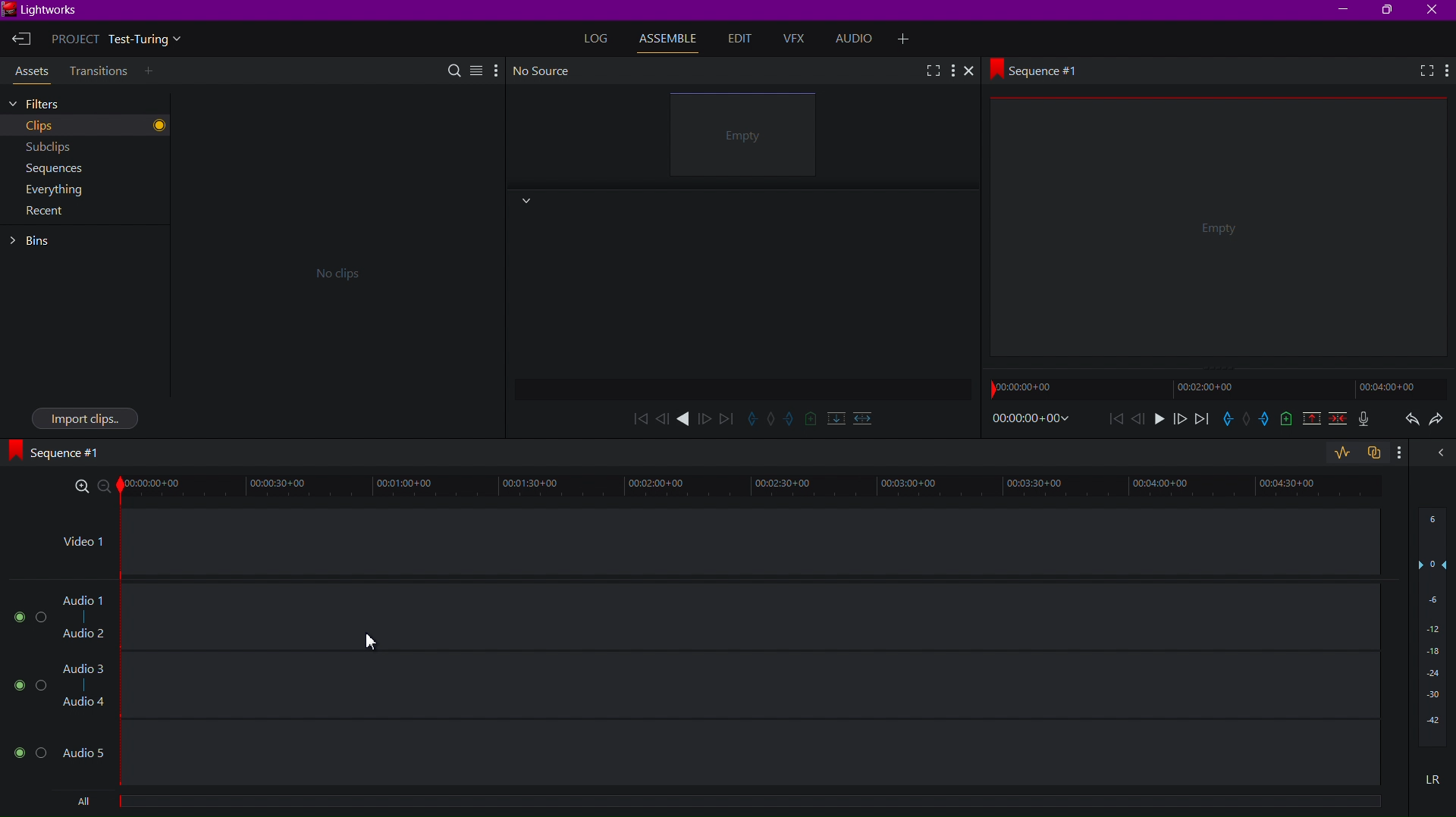  What do you see at coordinates (752, 418) in the screenshot?
I see `expand edit` at bounding box center [752, 418].